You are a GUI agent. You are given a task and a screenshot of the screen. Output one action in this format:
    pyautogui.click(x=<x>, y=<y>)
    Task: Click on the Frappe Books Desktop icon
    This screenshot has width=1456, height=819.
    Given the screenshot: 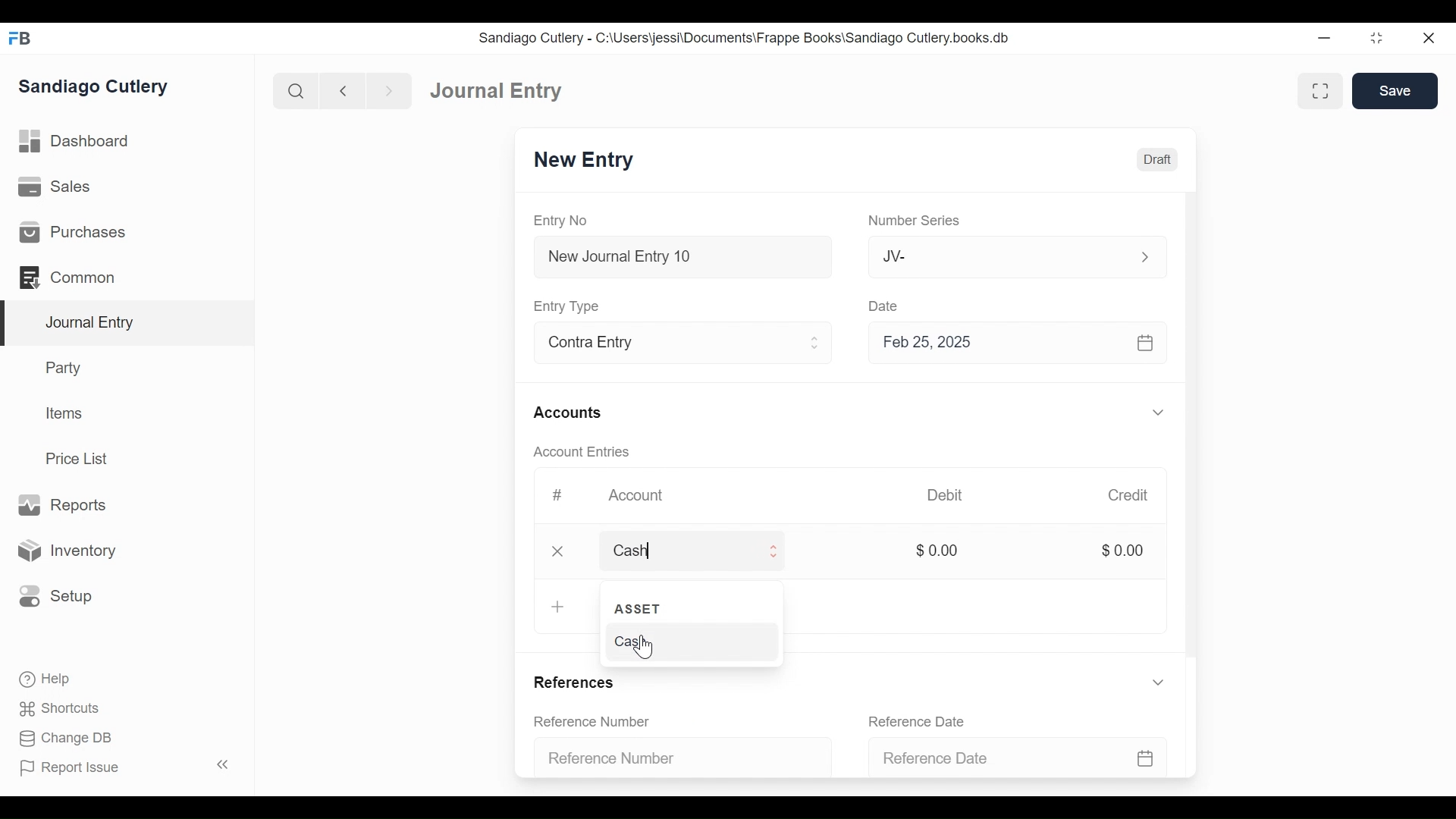 What is the action you would take?
    pyautogui.click(x=19, y=38)
    